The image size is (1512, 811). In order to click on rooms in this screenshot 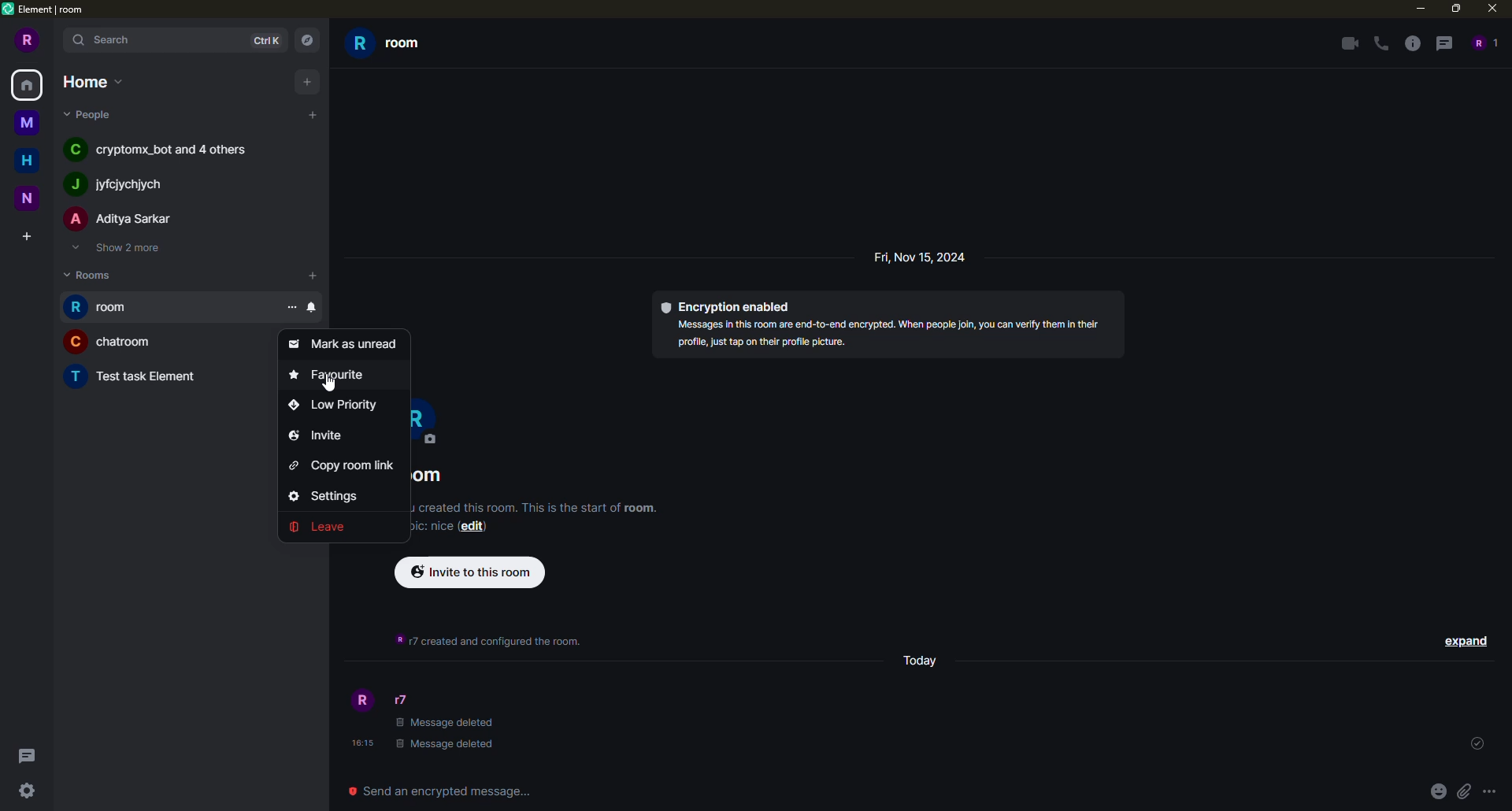, I will do `click(93, 275)`.